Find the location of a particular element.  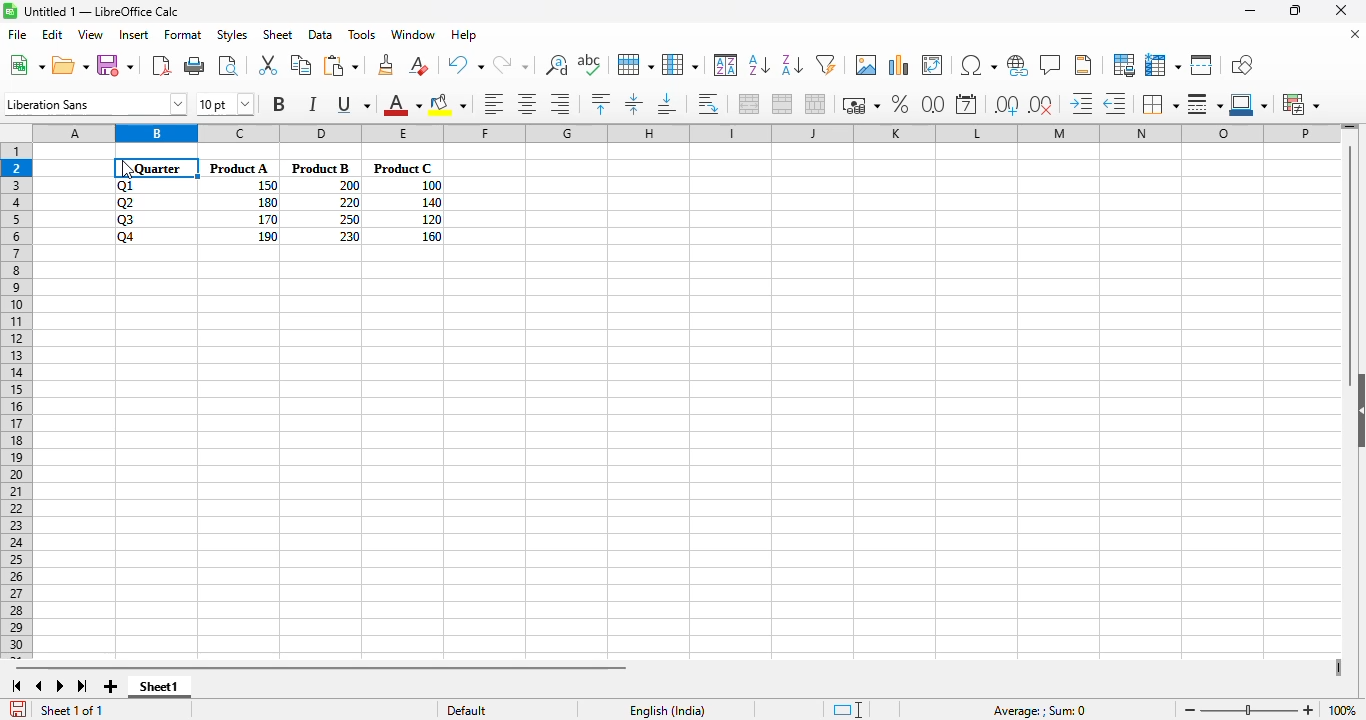

150 is located at coordinates (266, 186).